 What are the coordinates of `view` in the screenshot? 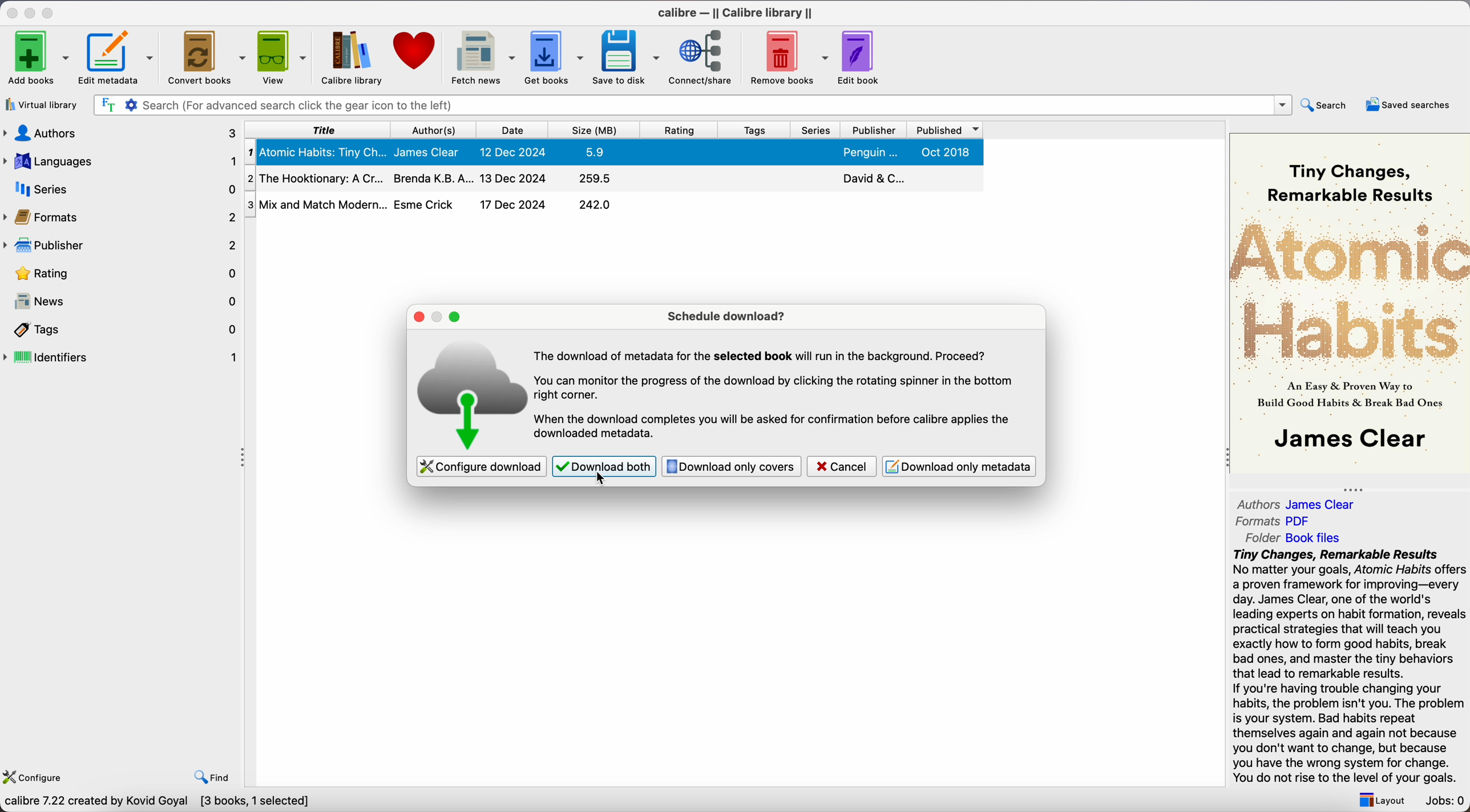 It's located at (283, 58).